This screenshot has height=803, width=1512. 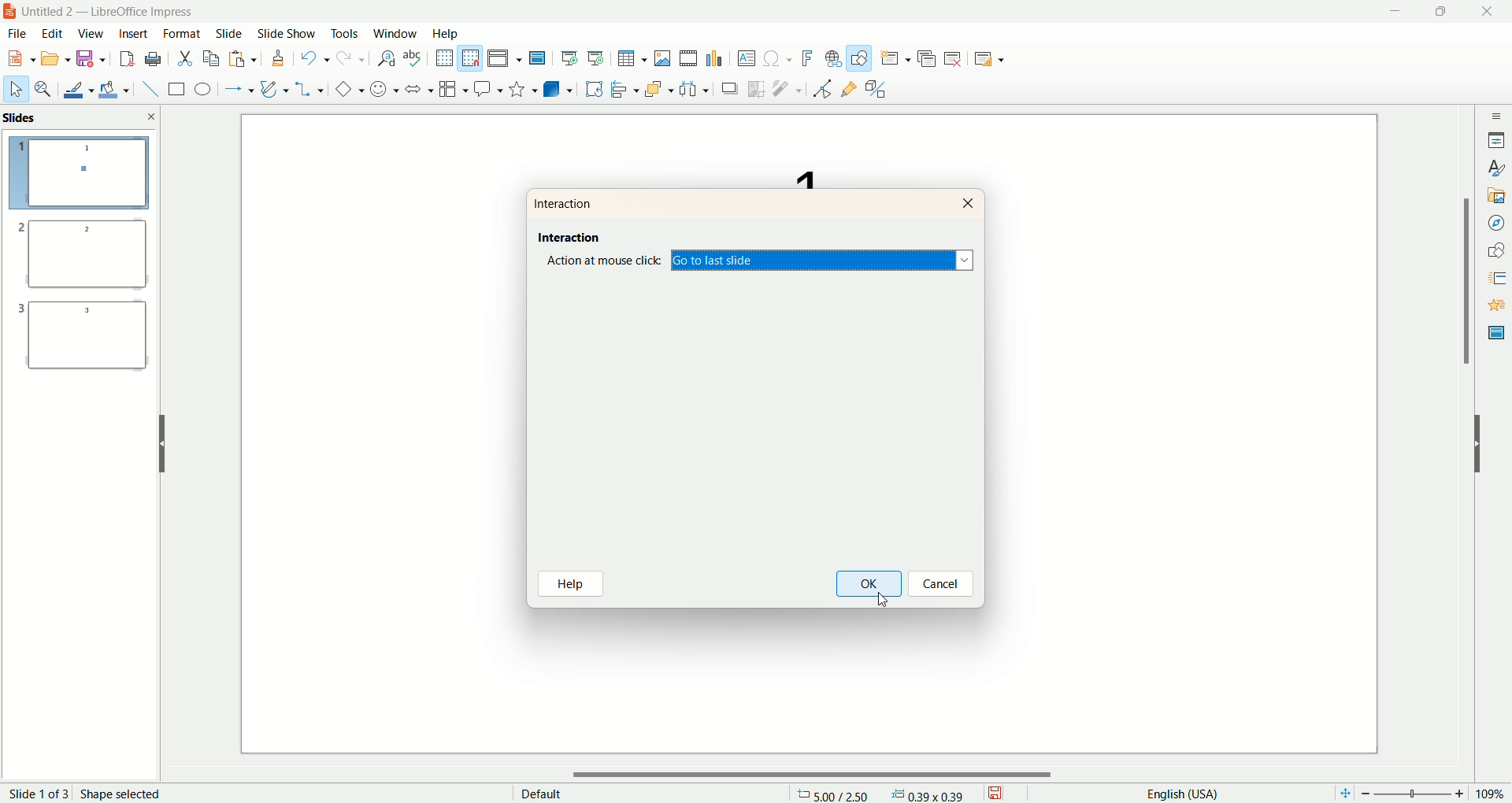 What do you see at coordinates (821, 261) in the screenshot?
I see `go to last slide` at bounding box center [821, 261].